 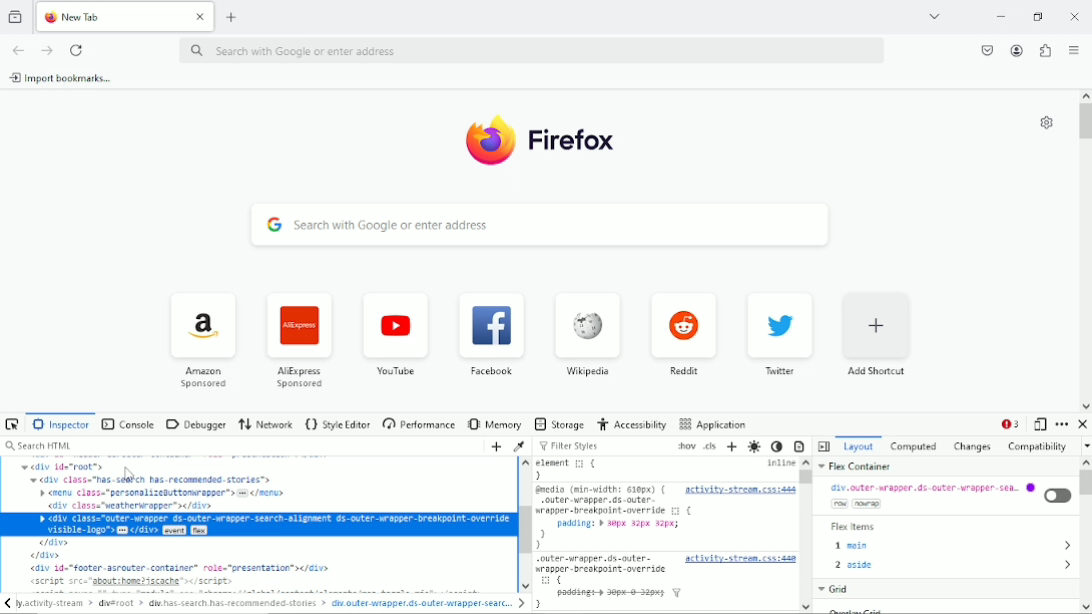 What do you see at coordinates (49, 555) in the screenshot?
I see `</div>` at bounding box center [49, 555].